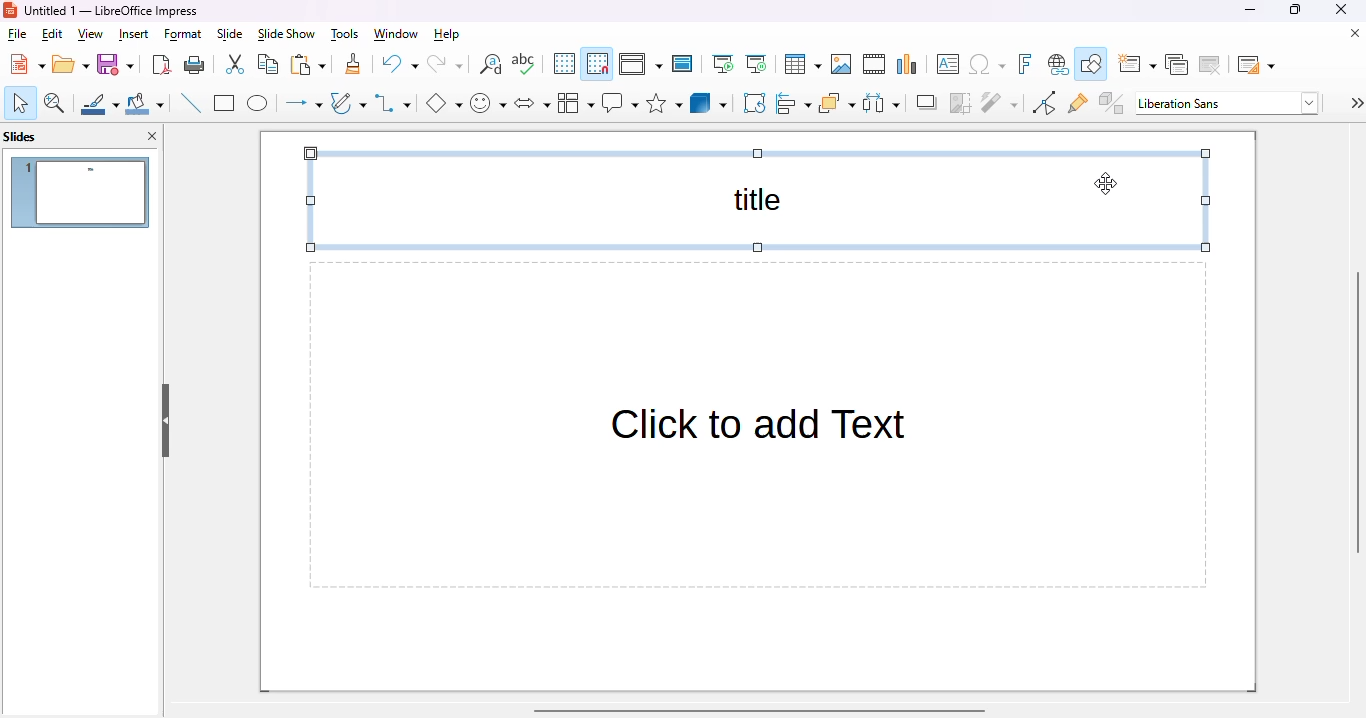 This screenshot has width=1366, height=718. I want to click on fill color, so click(145, 103).